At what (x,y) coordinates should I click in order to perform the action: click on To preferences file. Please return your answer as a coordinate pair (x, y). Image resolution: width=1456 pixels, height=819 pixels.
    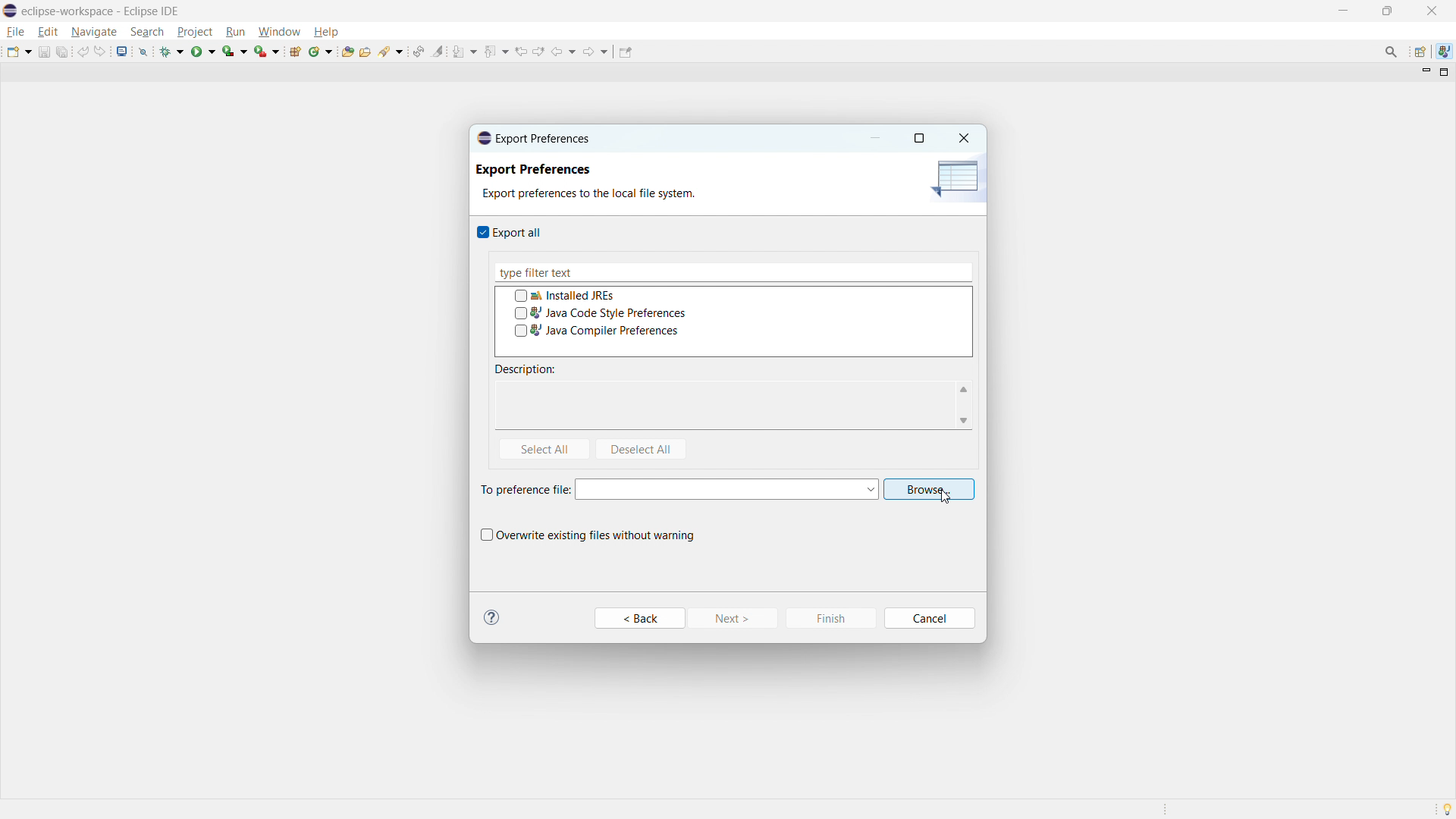
    Looking at the image, I should click on (523, 489).